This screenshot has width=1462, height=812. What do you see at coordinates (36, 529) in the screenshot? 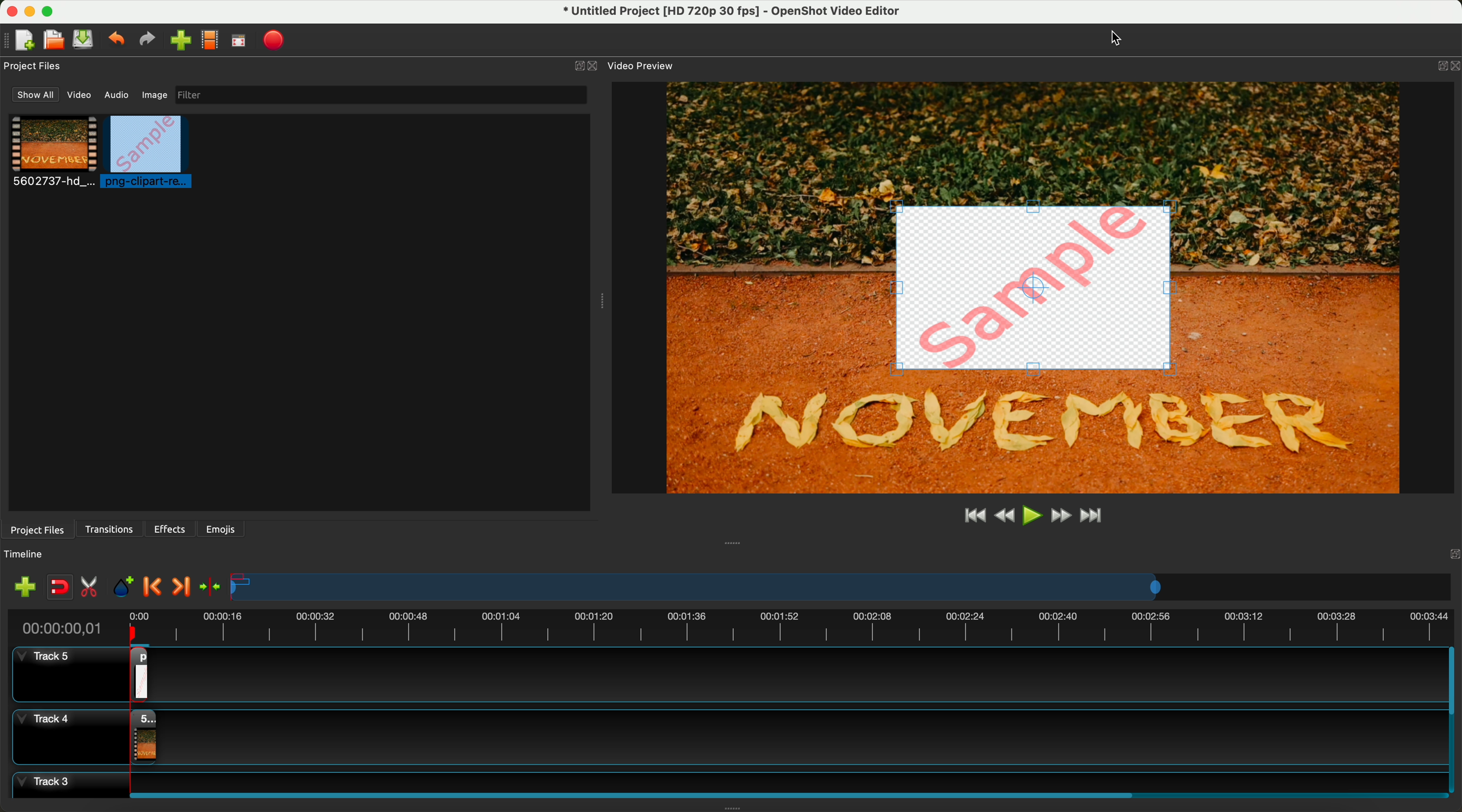
I see `project files` at bounding box center [36, 529].